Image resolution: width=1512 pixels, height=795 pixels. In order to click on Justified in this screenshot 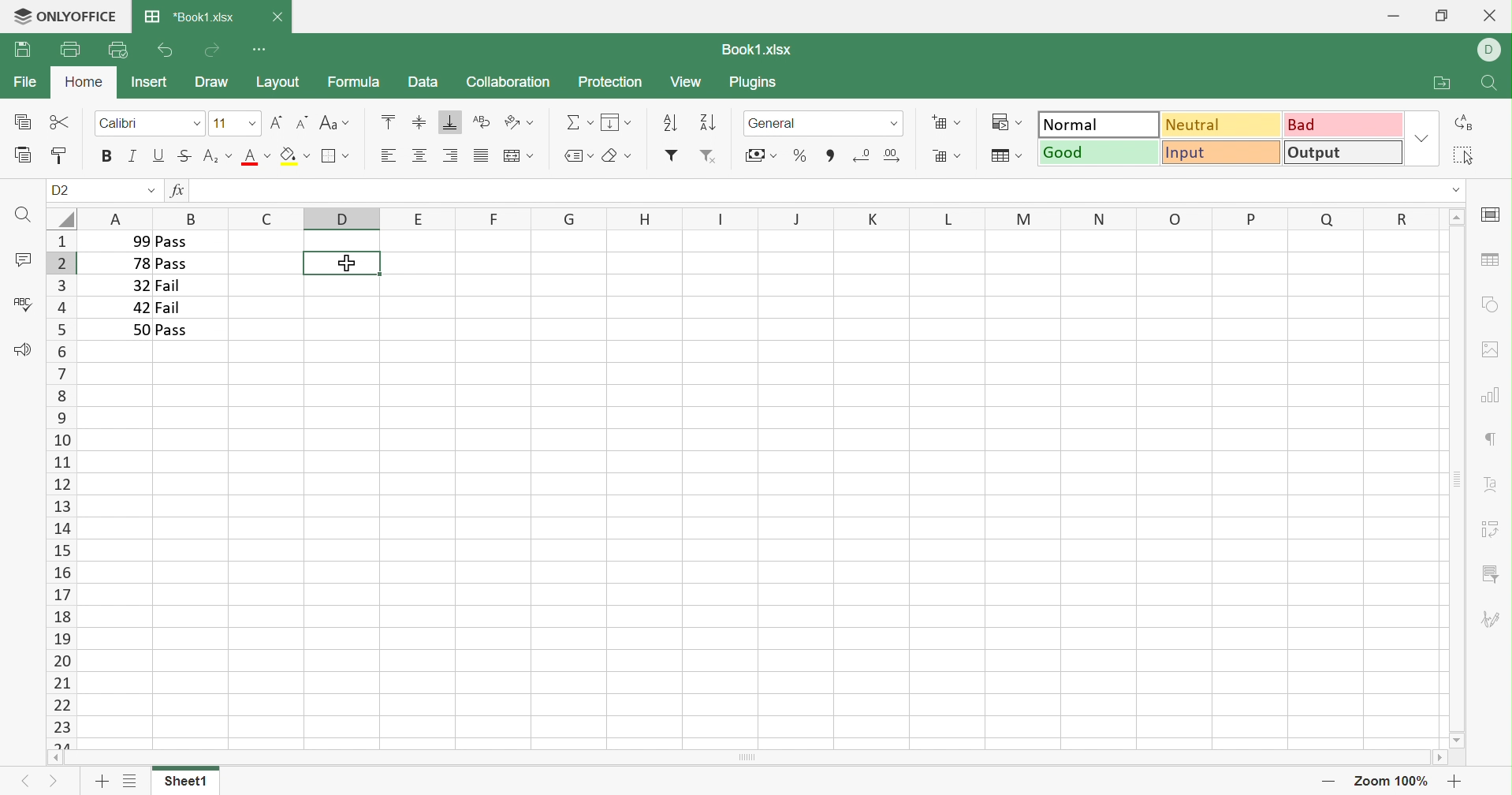, I will do `click(479, 156)`.